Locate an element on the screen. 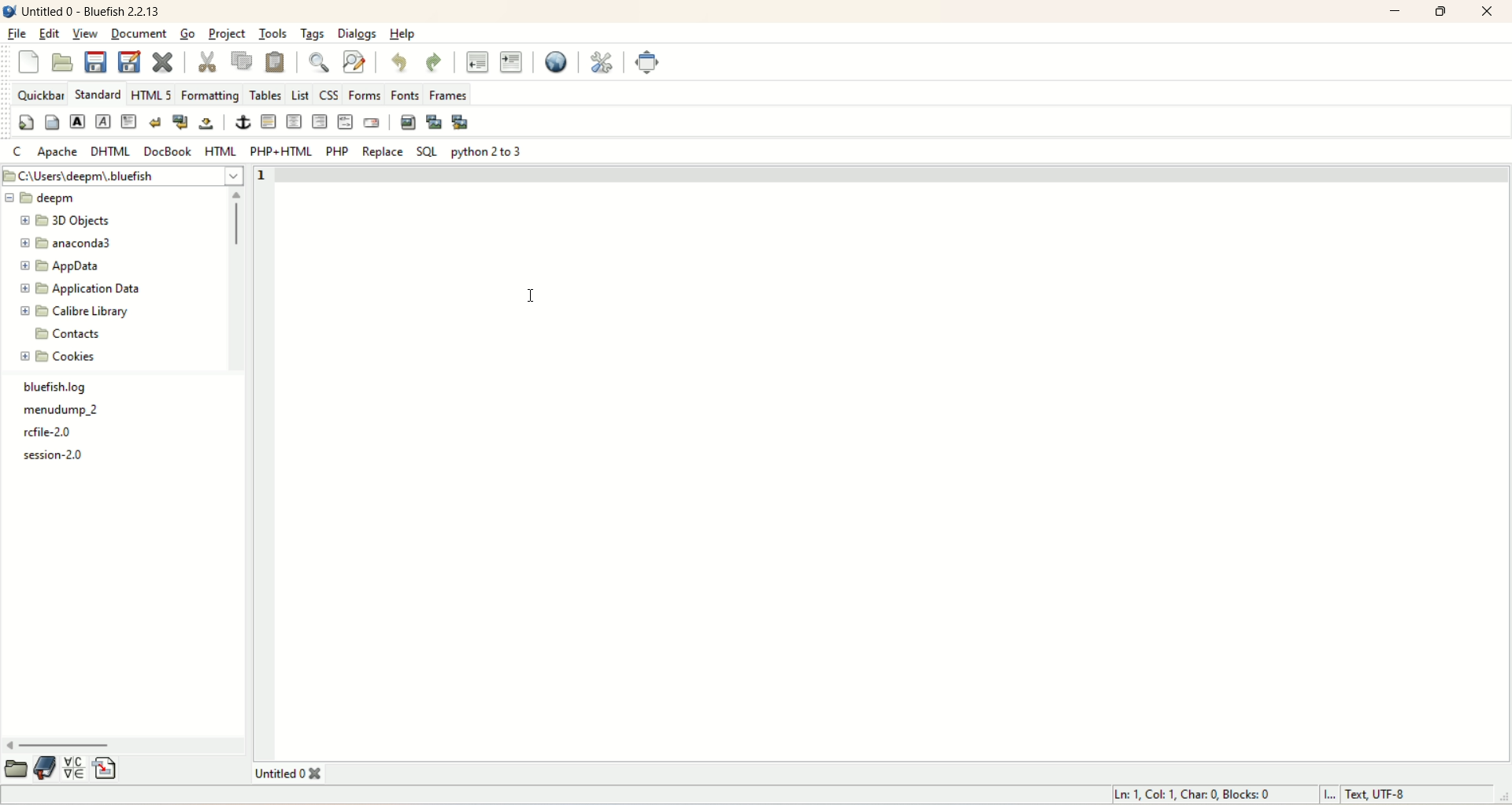  minimize is located at coordinates (1395, 11).